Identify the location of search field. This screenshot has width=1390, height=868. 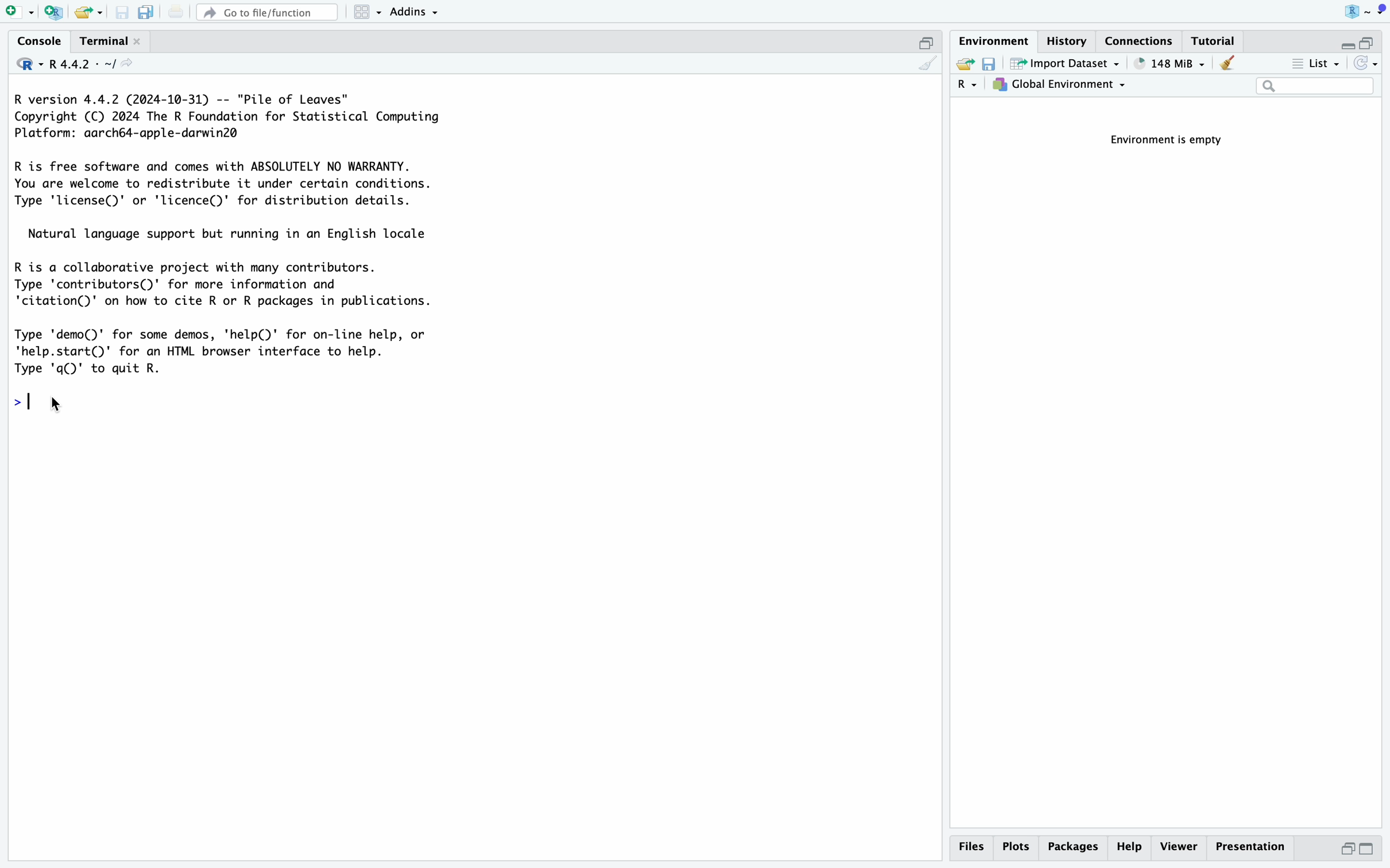
(1315, 87).